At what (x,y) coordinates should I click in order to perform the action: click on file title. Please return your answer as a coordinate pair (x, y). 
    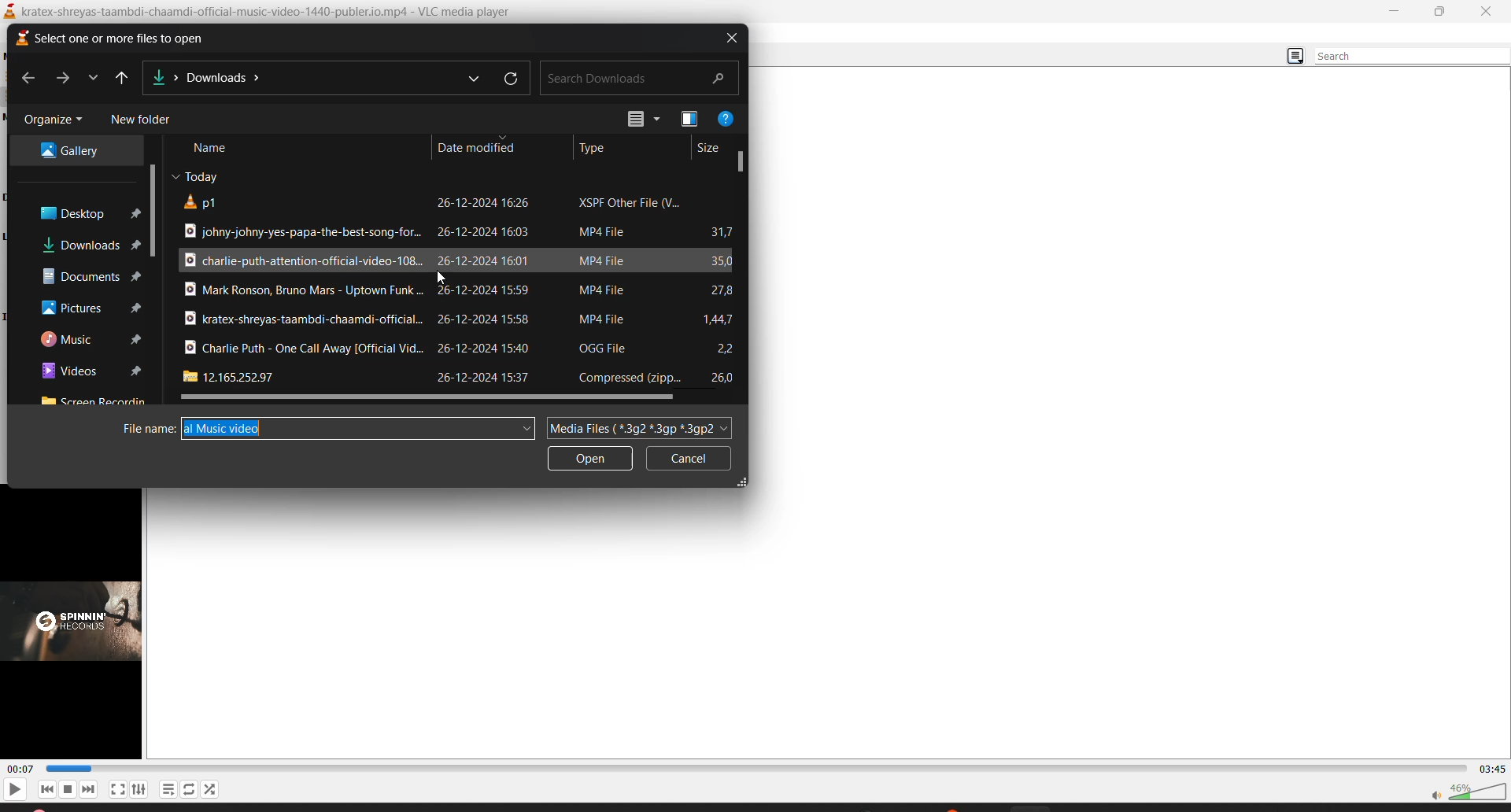
    Looking at the image, I should click on (273, 205).